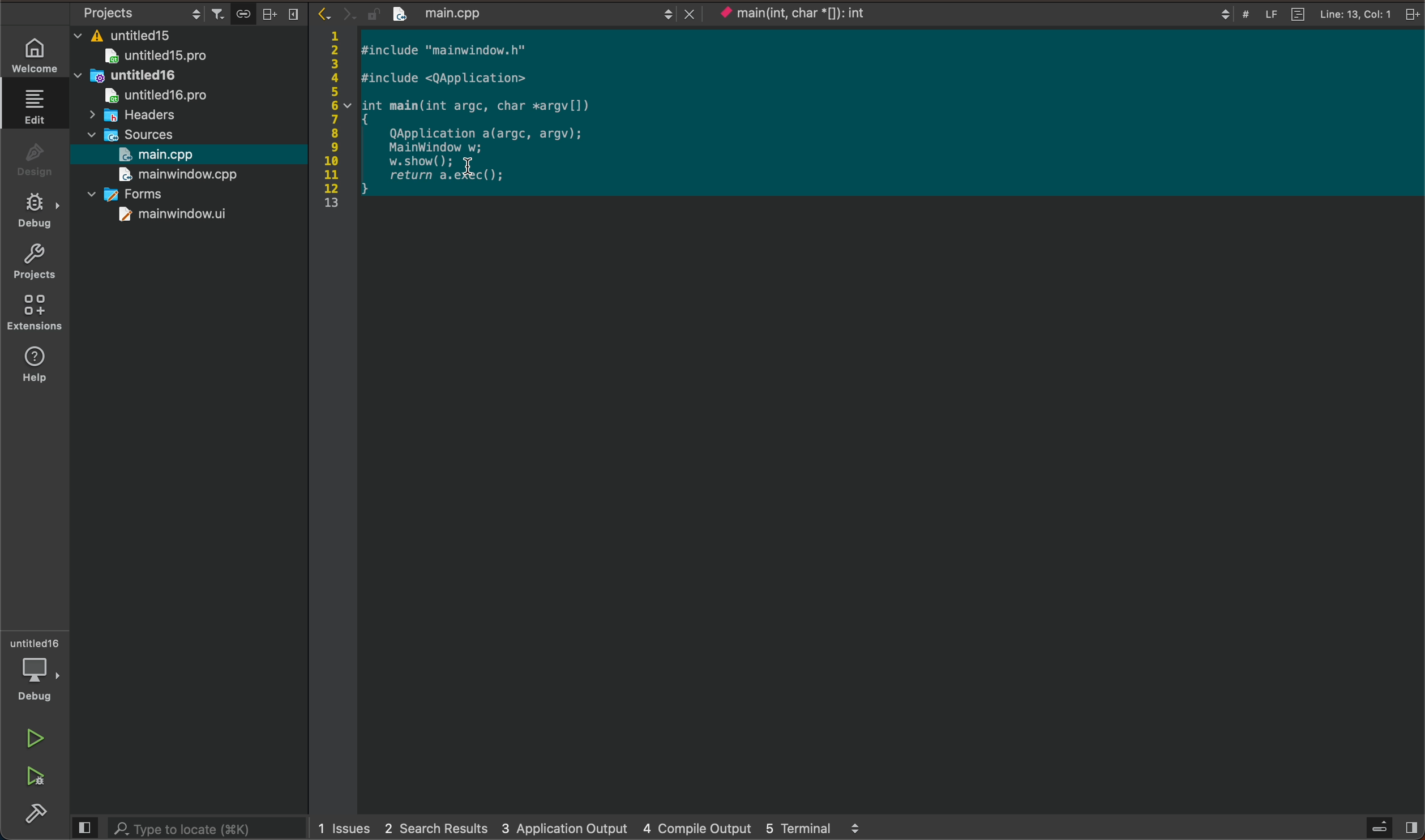 The width and height of the screenshot is (1425, 840). I want to click on build, so click(29, 813).